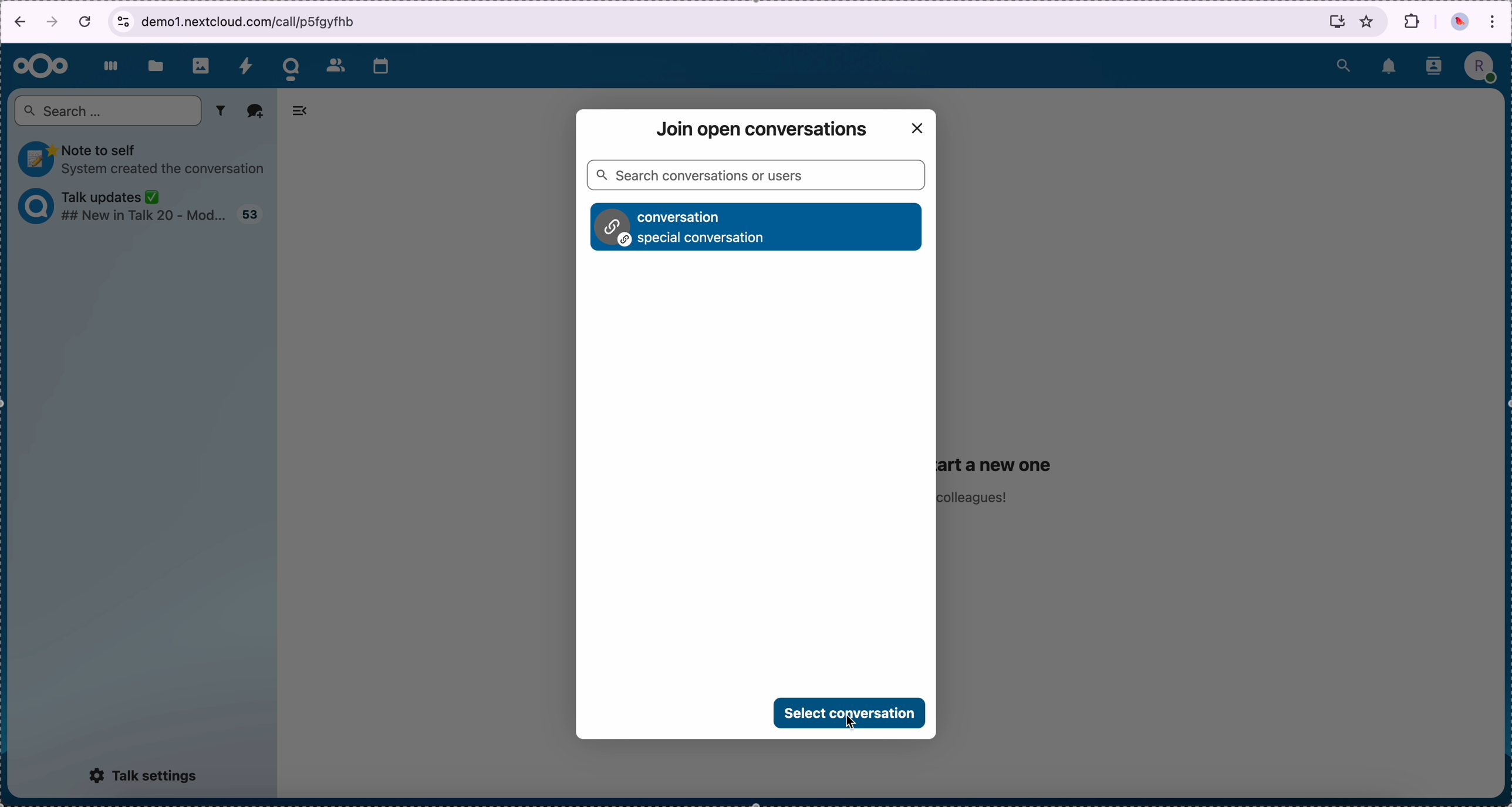 The height and width of the screenshot is (807, 1512). I want to click on photos, so click(201, 64).